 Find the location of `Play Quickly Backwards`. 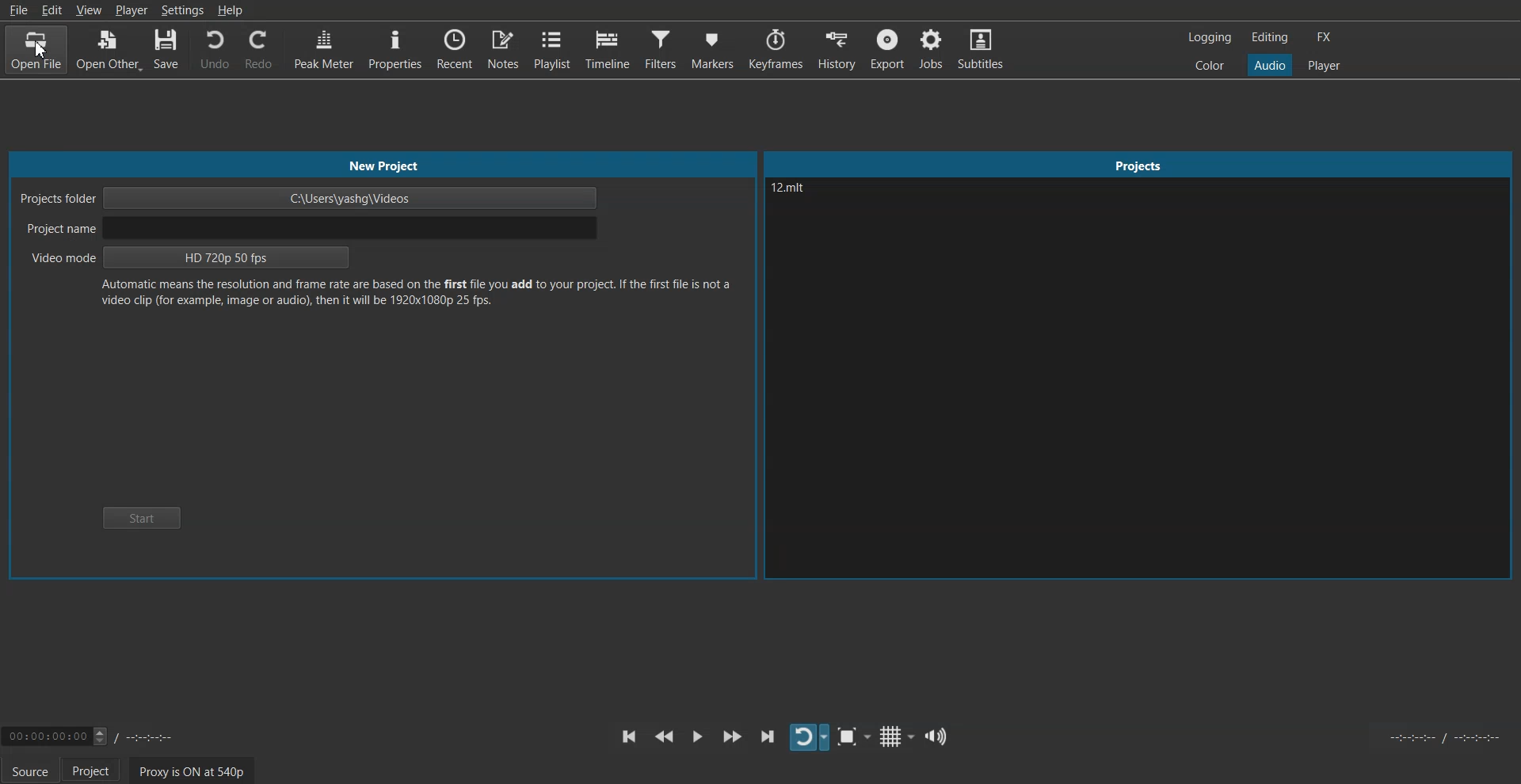

Play Quickly Backwards is located at coordinates (664, 736).